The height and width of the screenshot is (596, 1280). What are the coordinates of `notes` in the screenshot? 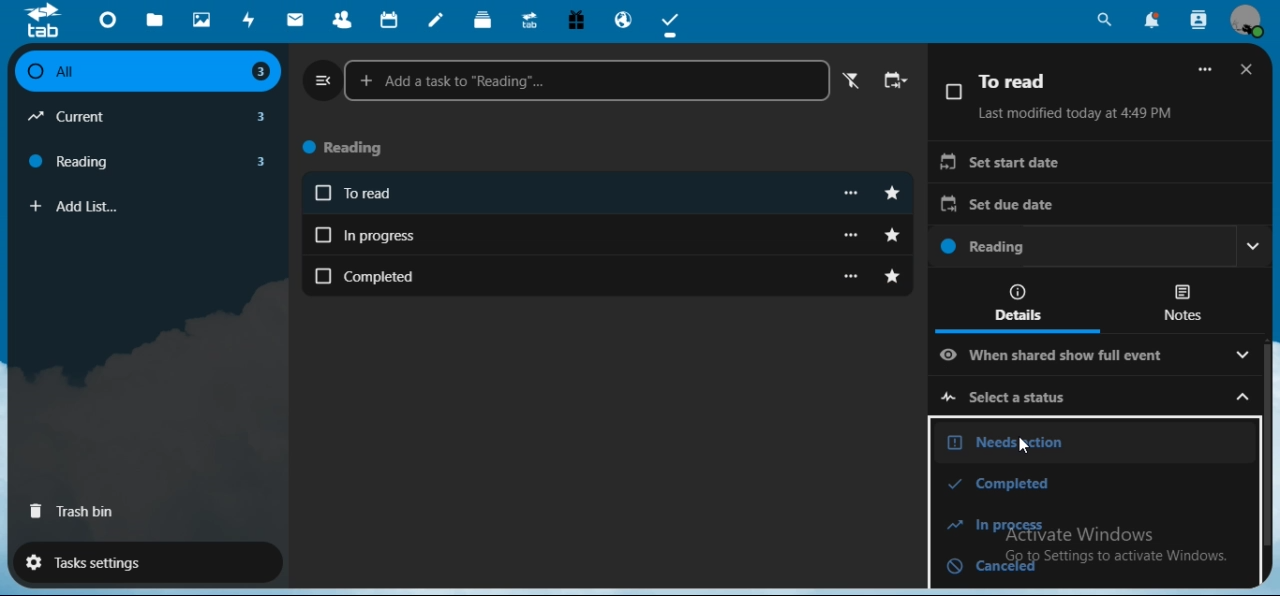 It's located at (1180, 302).